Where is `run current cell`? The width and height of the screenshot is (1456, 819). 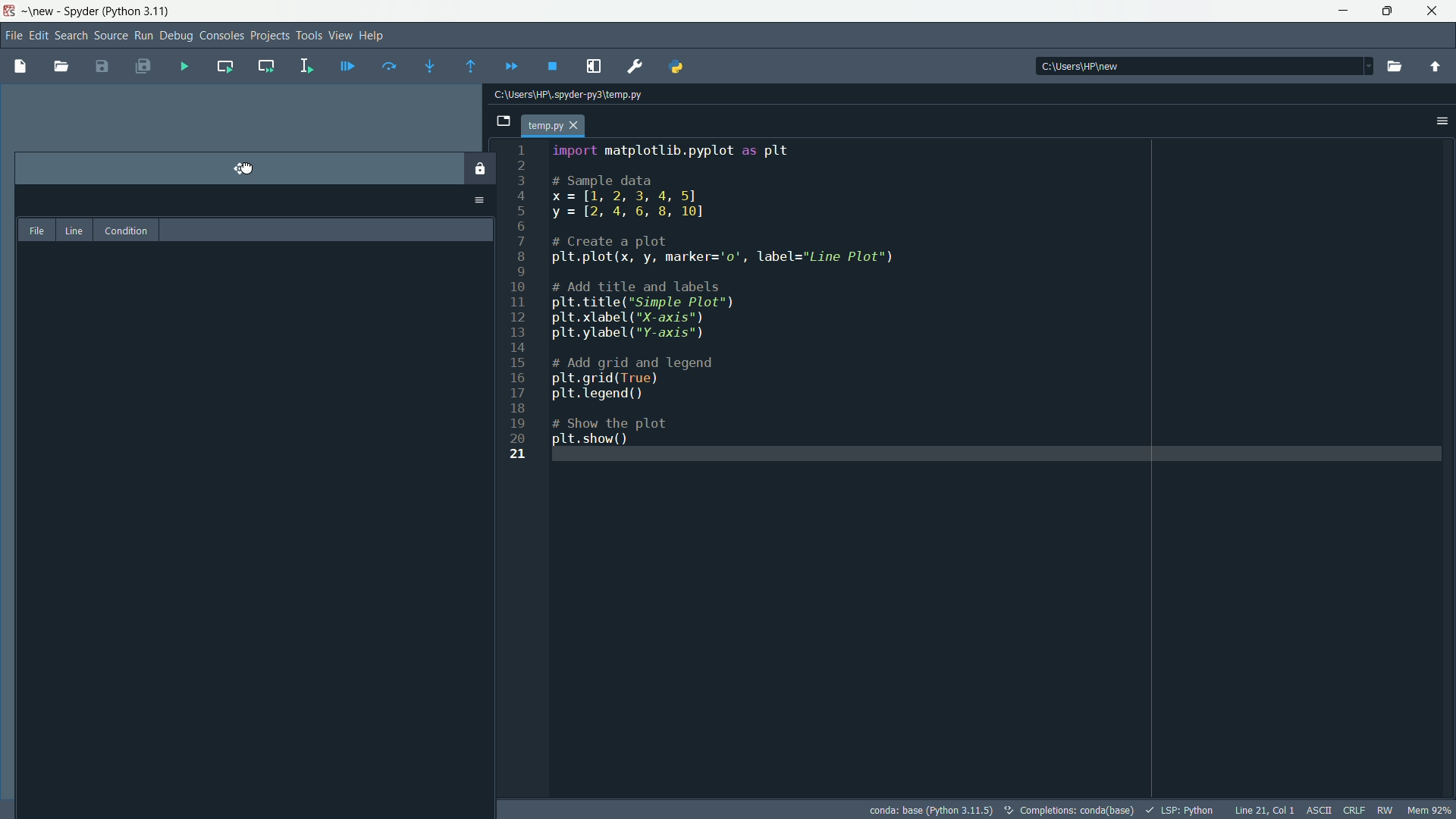 run current cell is located at coordinates (222, 66).